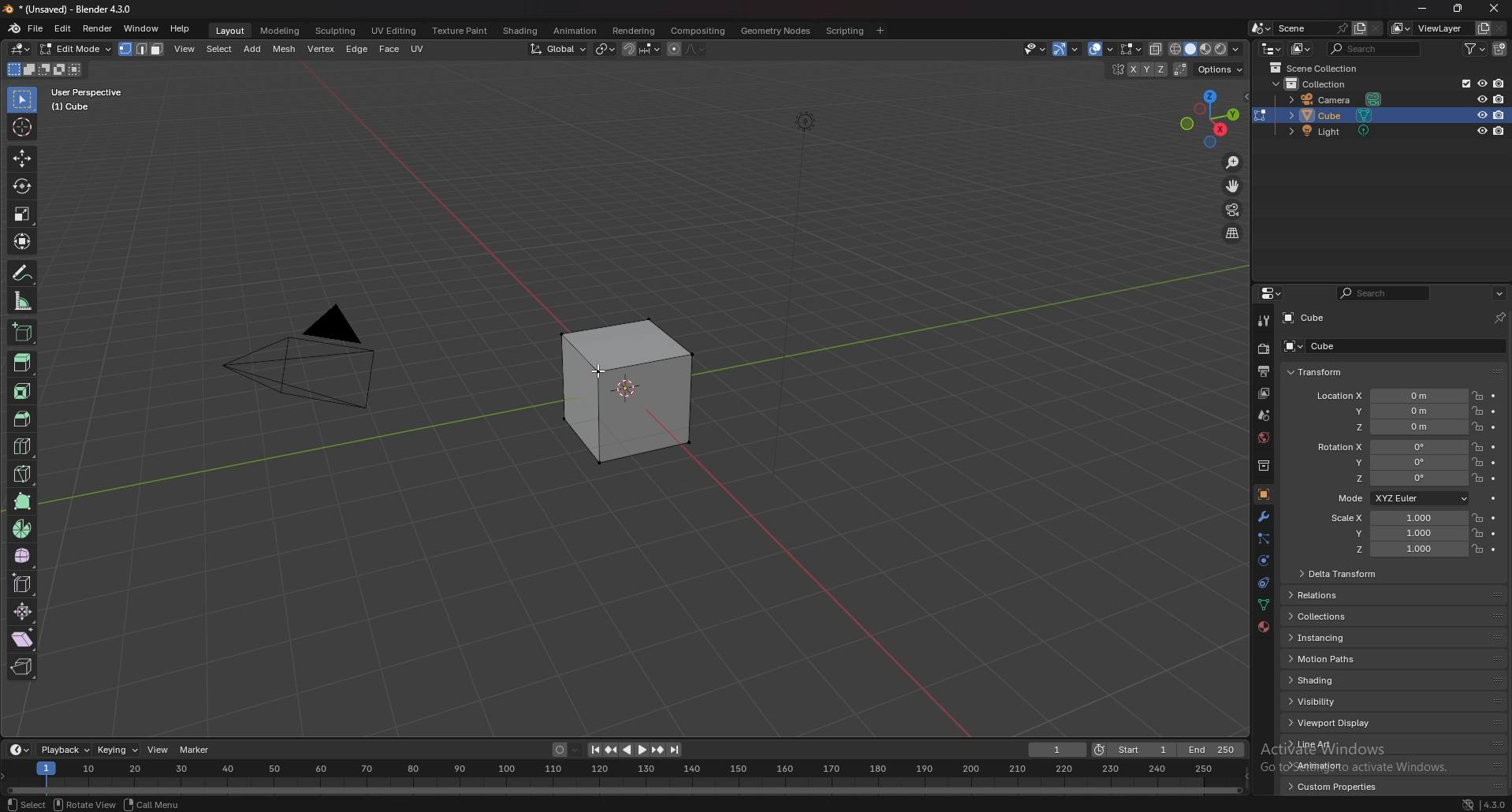  Describe the element at coordinates (1320, 84) in the screenshot. I see `collection` at that location.